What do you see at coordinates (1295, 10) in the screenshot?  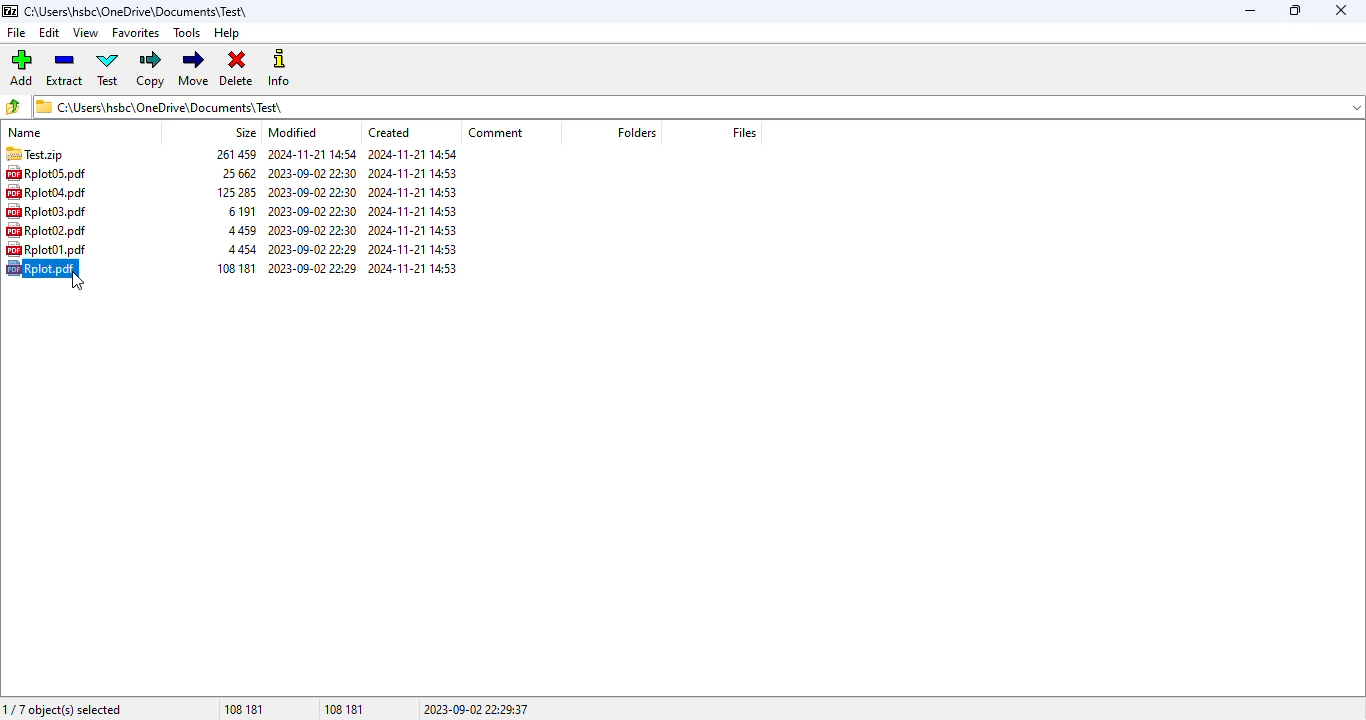 I see `maximize` at bounding box center [1295, 10].